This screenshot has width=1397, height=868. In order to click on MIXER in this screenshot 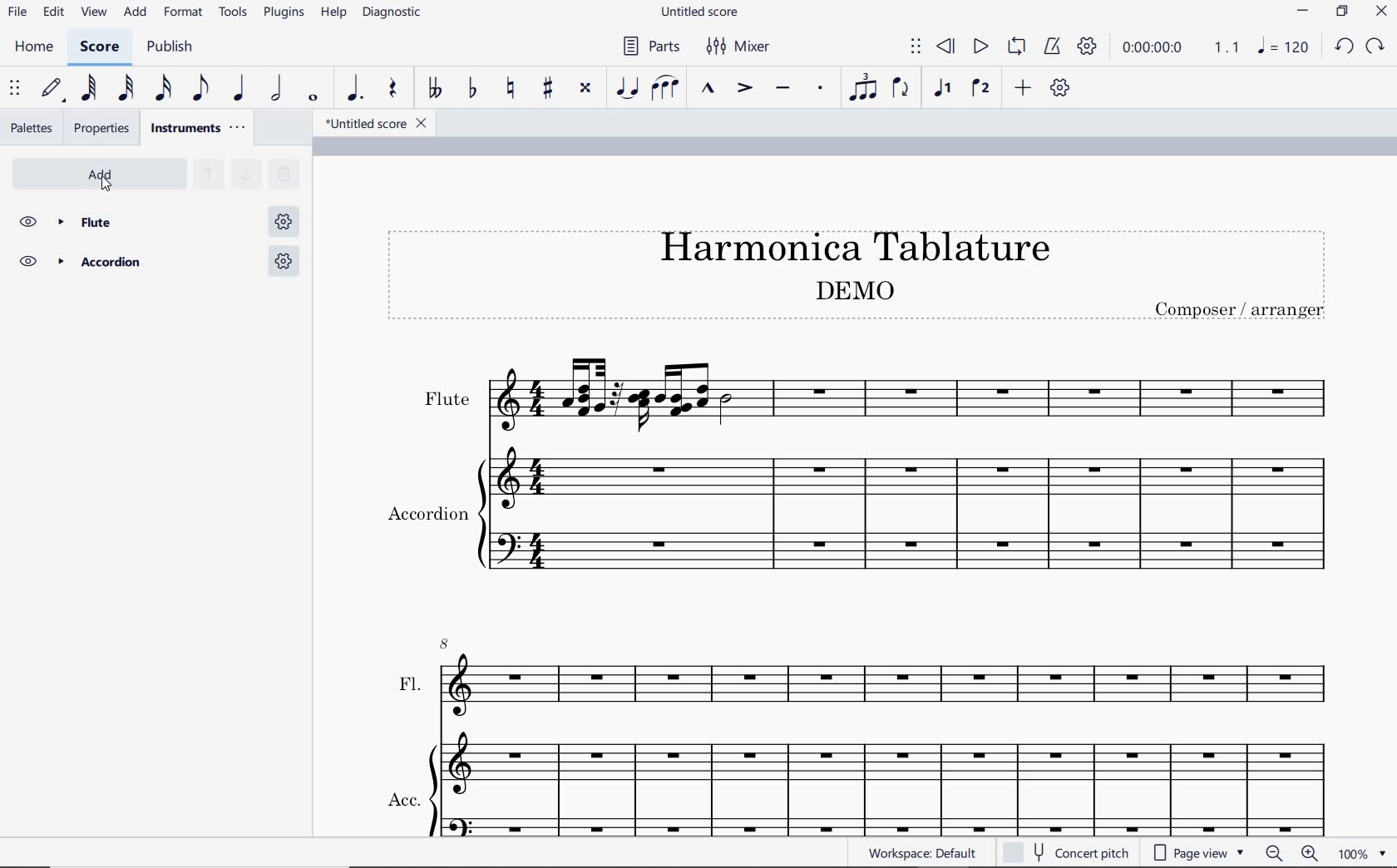, I will do `click(737, 47)`.